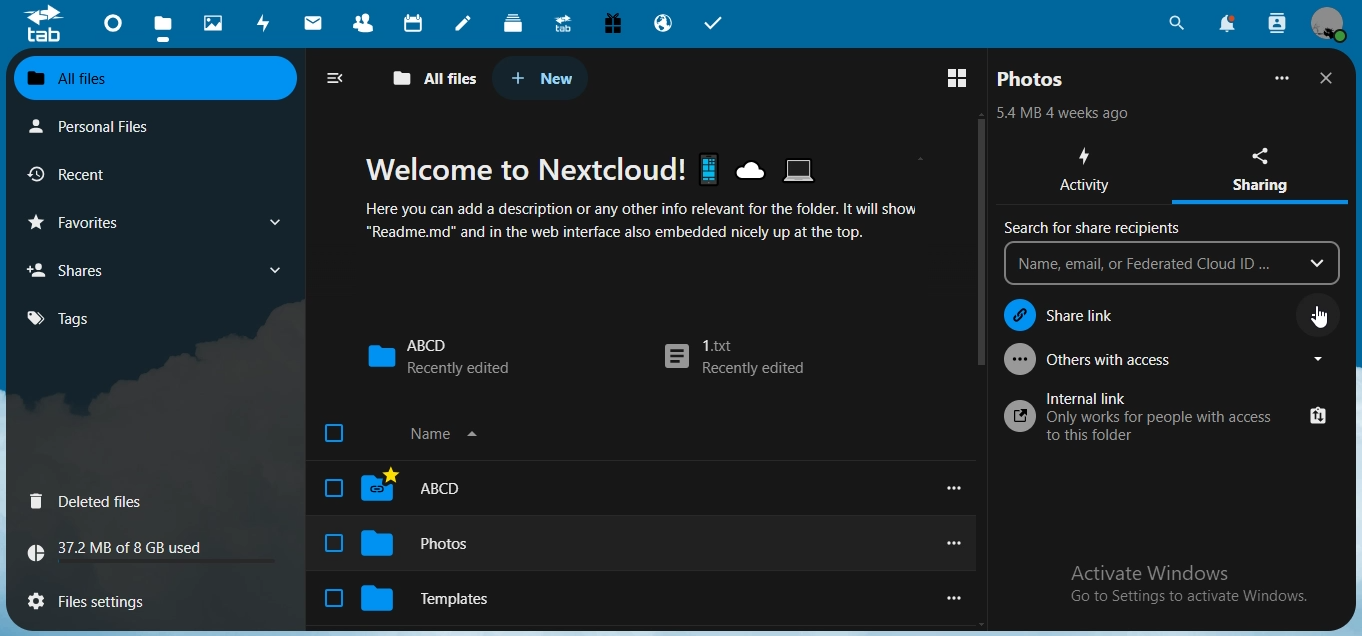 The width and height of the screenshot is (1362, 636). Describe the element at coordinates (542, 78) in the screenshot. I see `new` at that location.